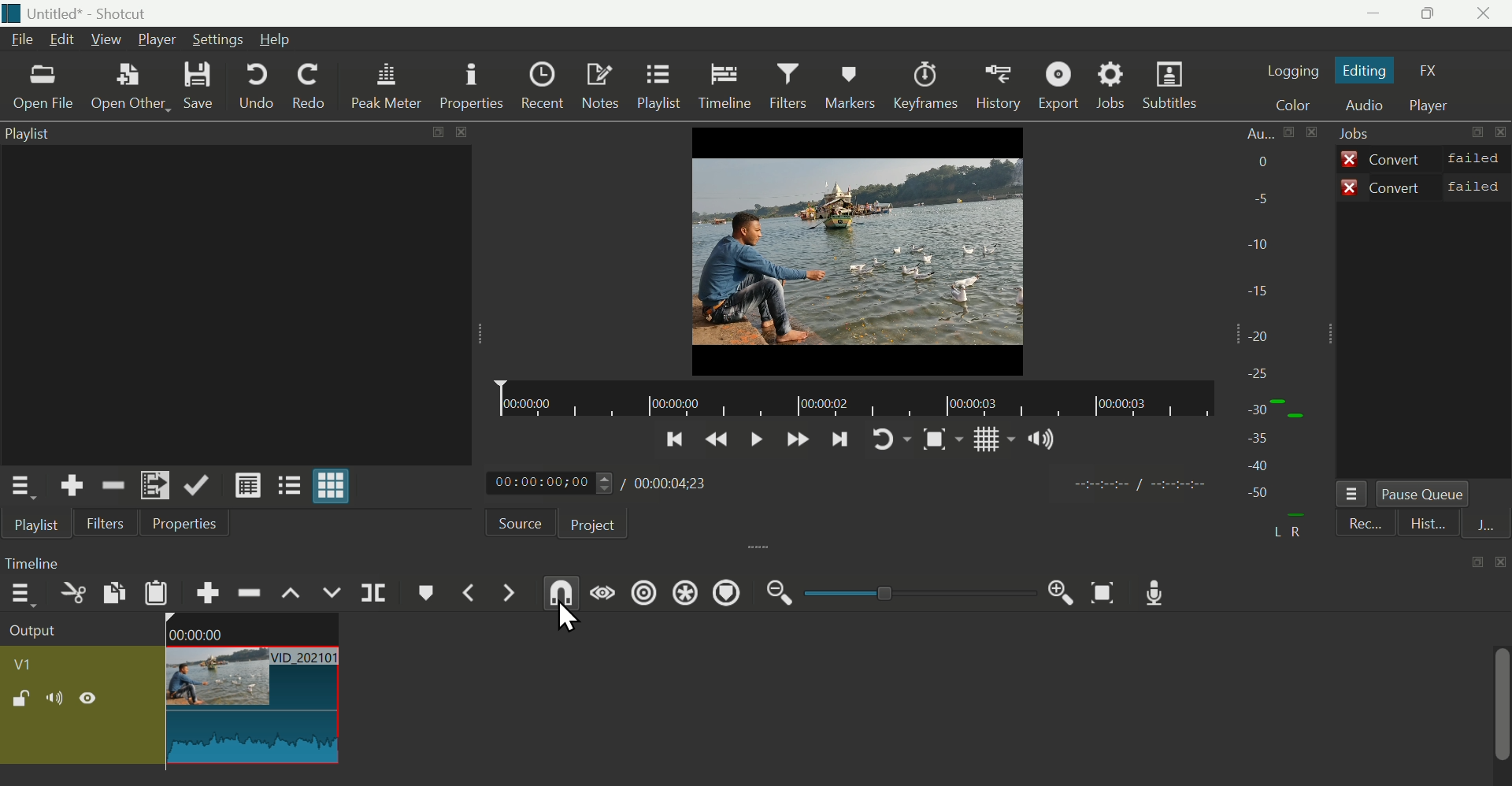 This screenshot has height=786, width=1512. I want to click on Previous Marker, so click(477, 593).